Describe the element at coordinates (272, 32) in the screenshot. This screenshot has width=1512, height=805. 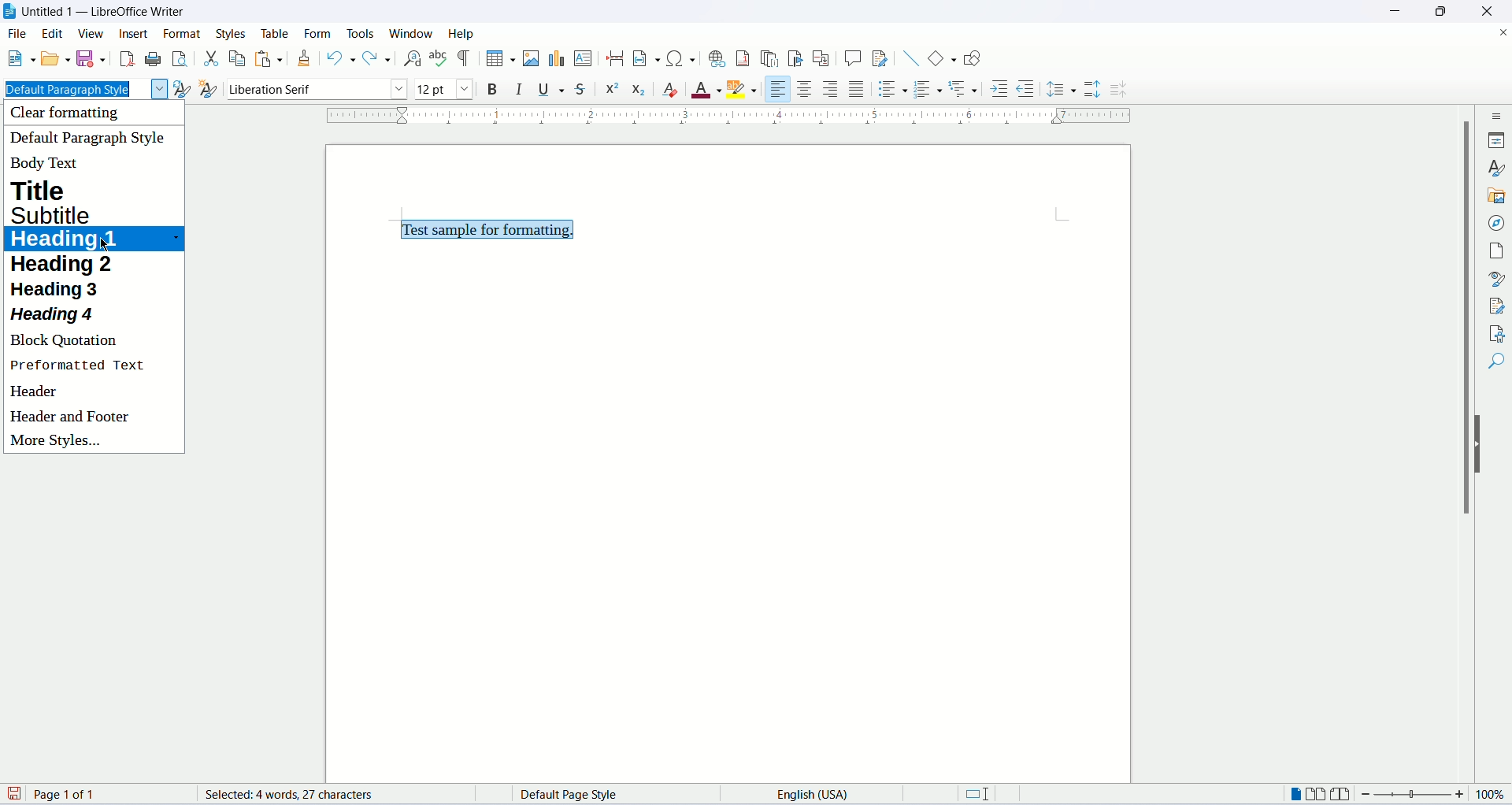
I see `table` at that location.